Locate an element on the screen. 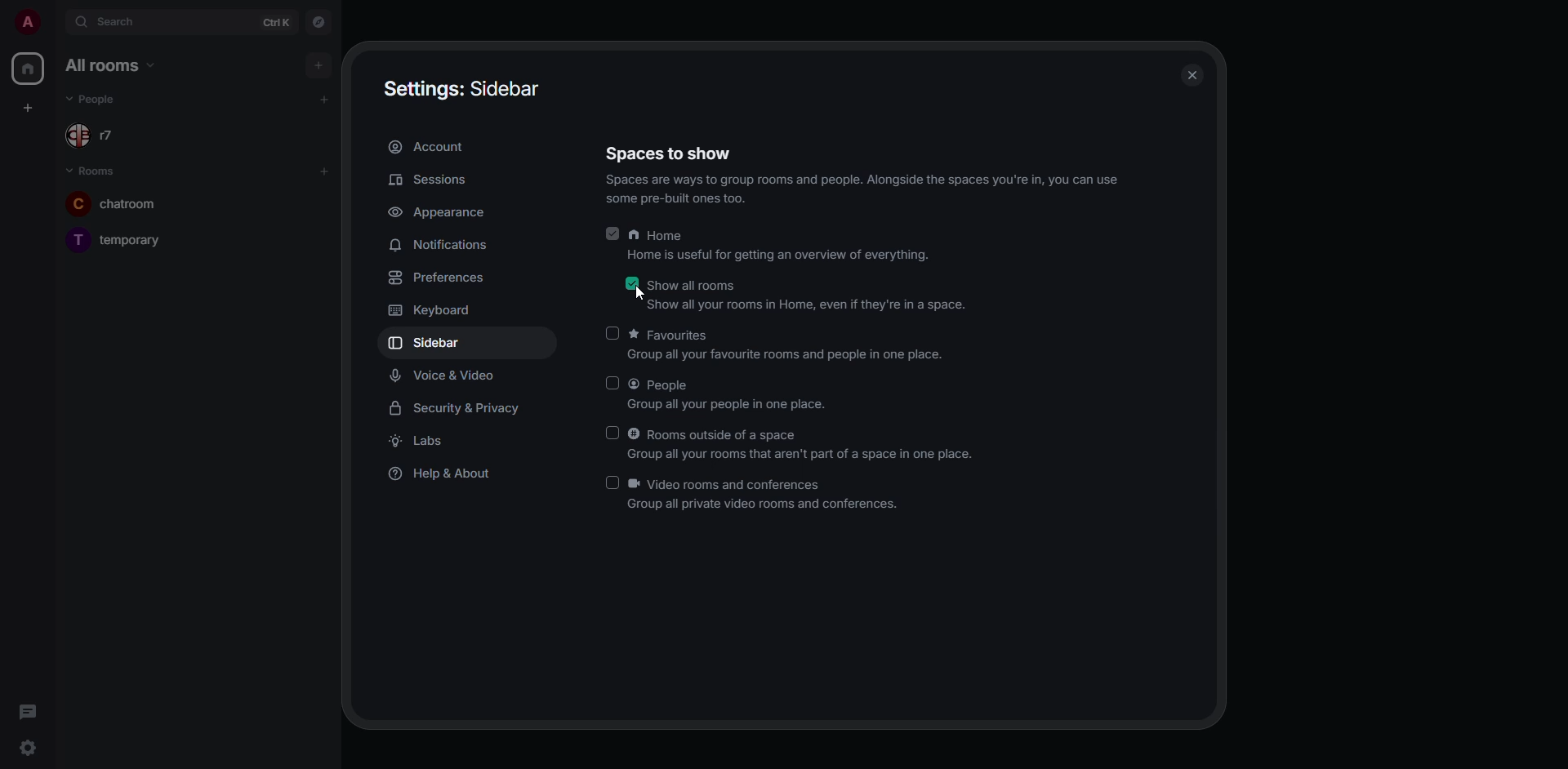  people is located at coordinates (731, 394).